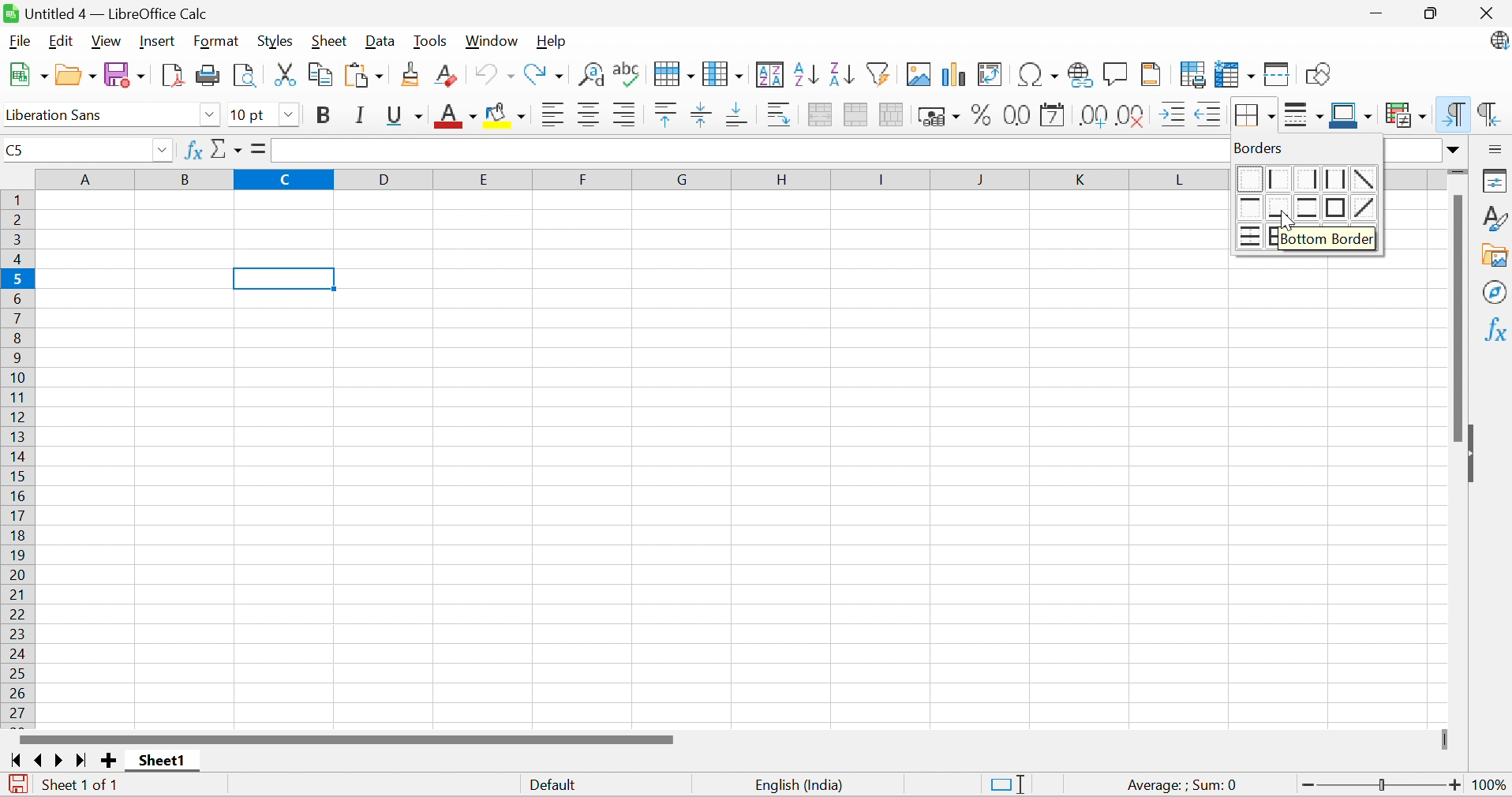  What do you see at coordinates (1456, 316) in the screenshot?
I see `Scroll bar` at bounding box center [1456, 316].